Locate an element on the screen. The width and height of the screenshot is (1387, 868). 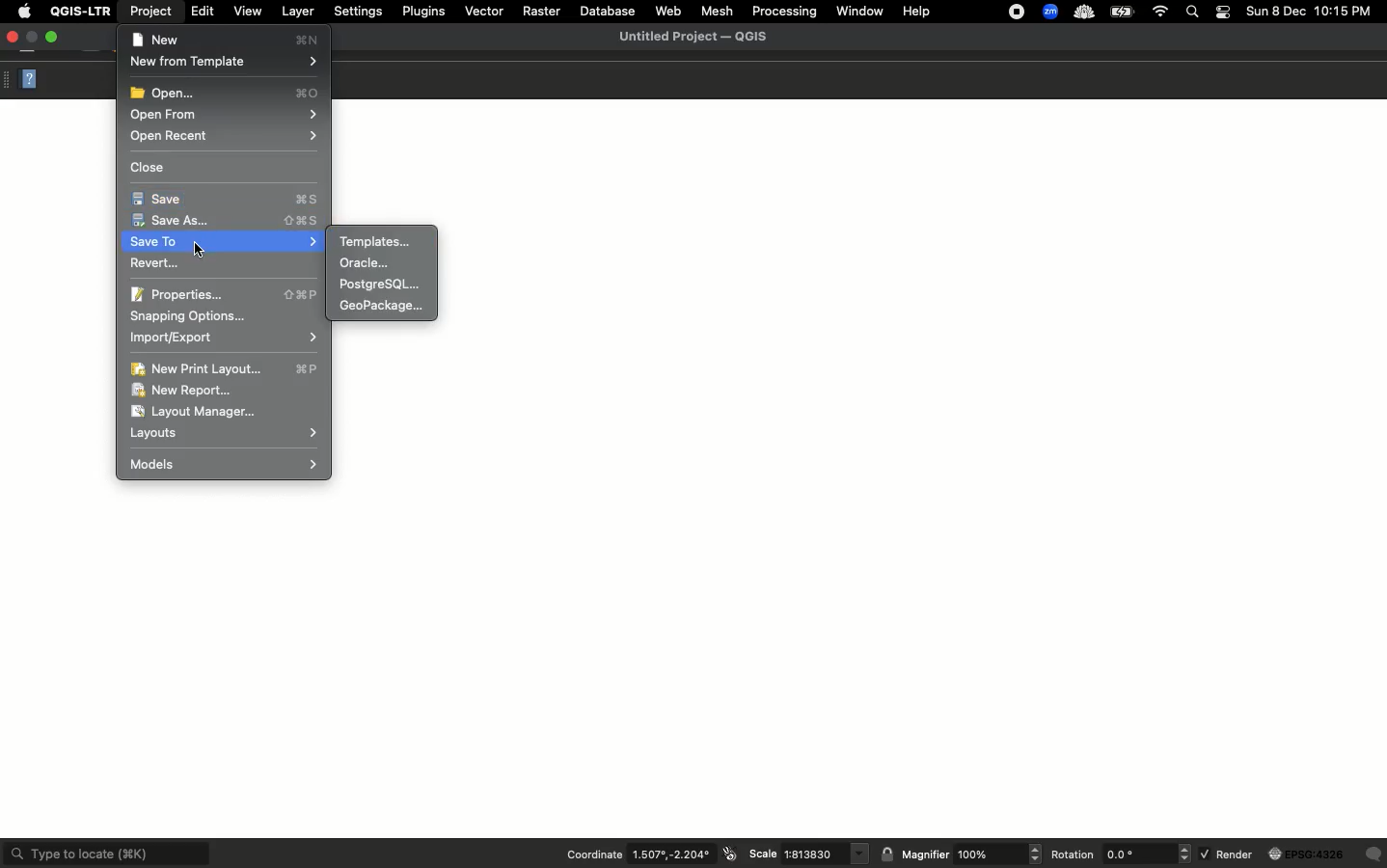
rotation is located at coordinates (1149, 854).